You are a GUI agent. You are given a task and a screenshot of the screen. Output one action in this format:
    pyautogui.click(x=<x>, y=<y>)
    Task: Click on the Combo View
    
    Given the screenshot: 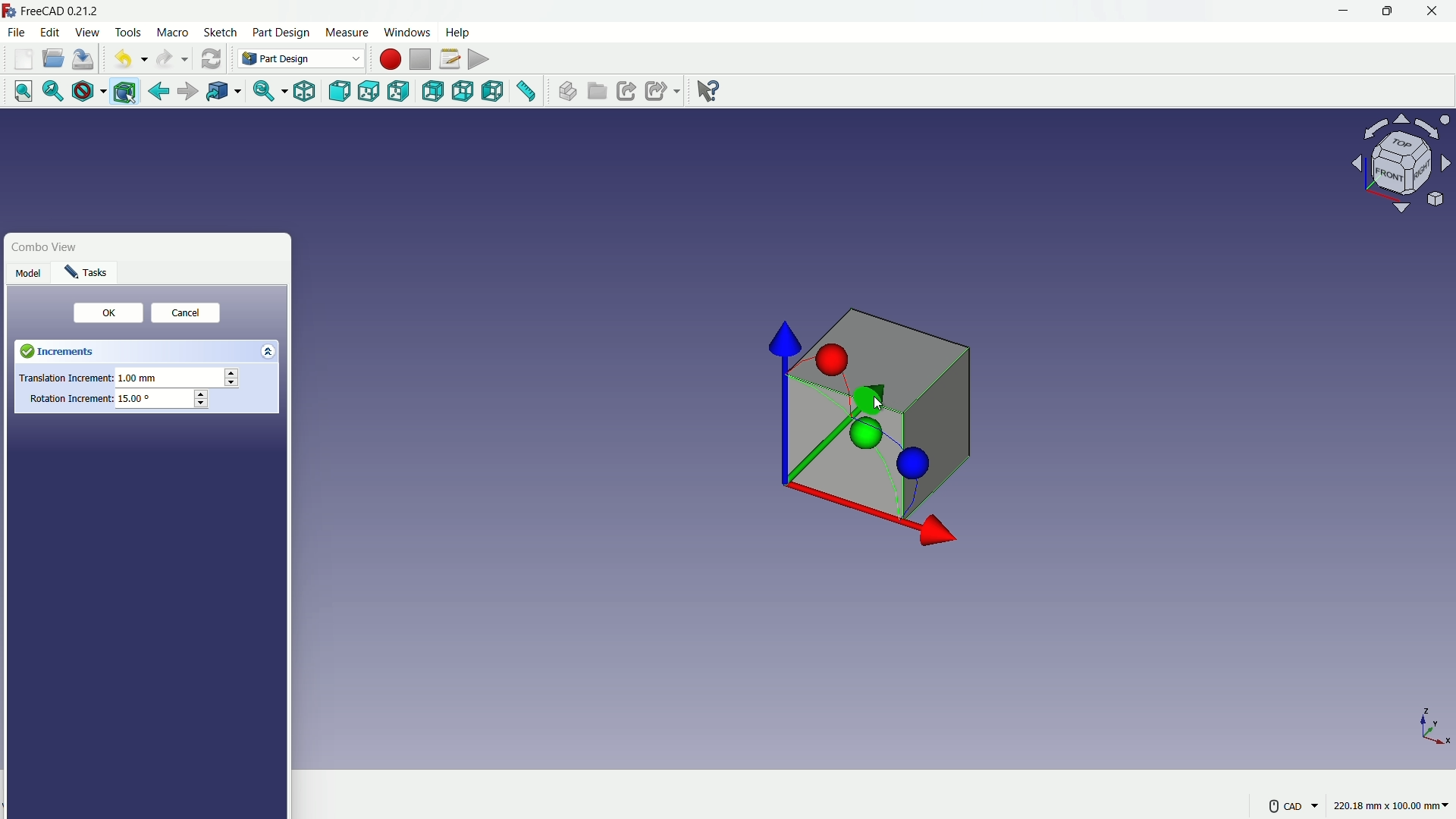 What is the action you would take?
    pyautogui.click(x=55, y=246)
    